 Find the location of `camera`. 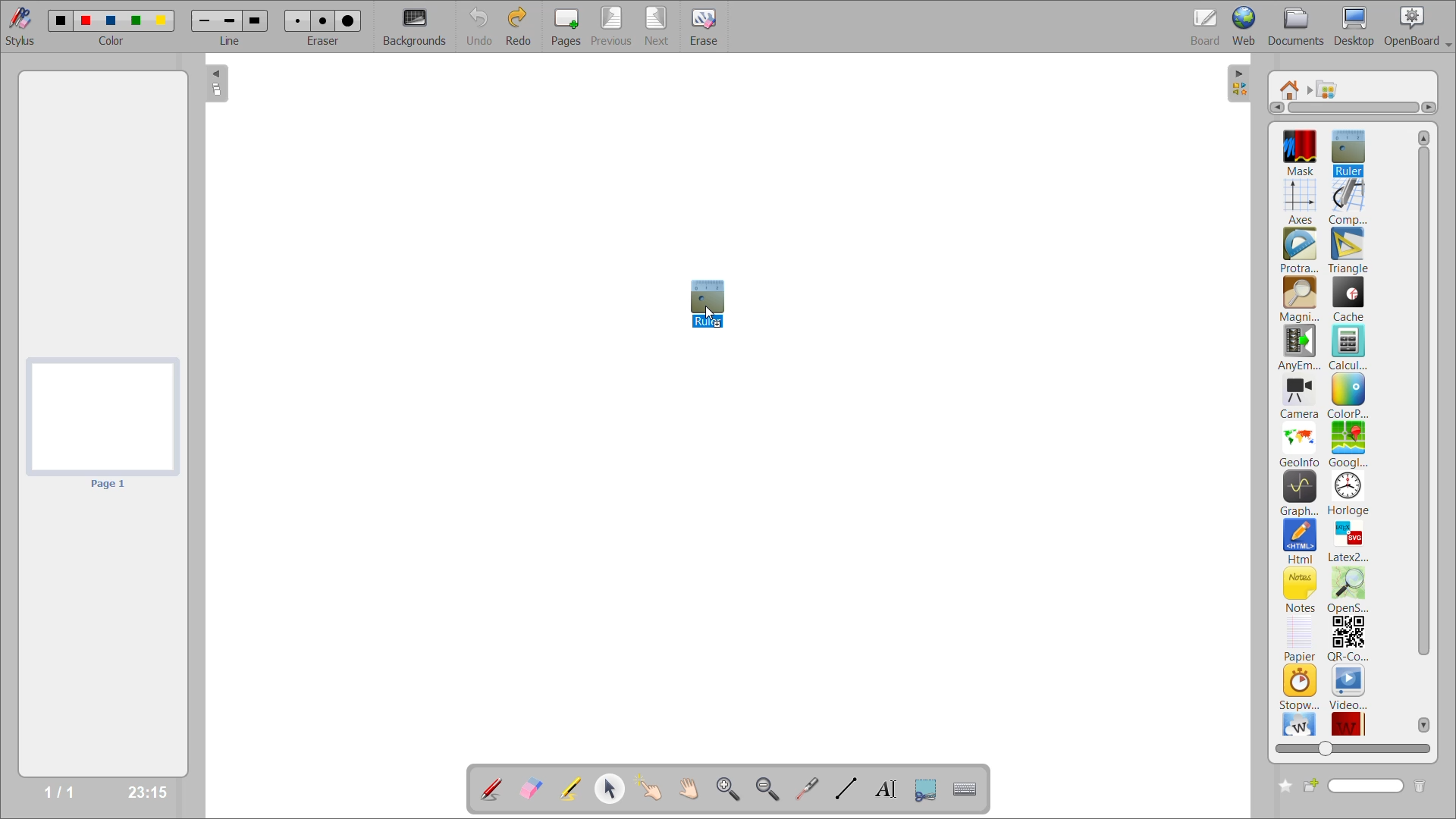

camera is located at coordinates (1300, 398).